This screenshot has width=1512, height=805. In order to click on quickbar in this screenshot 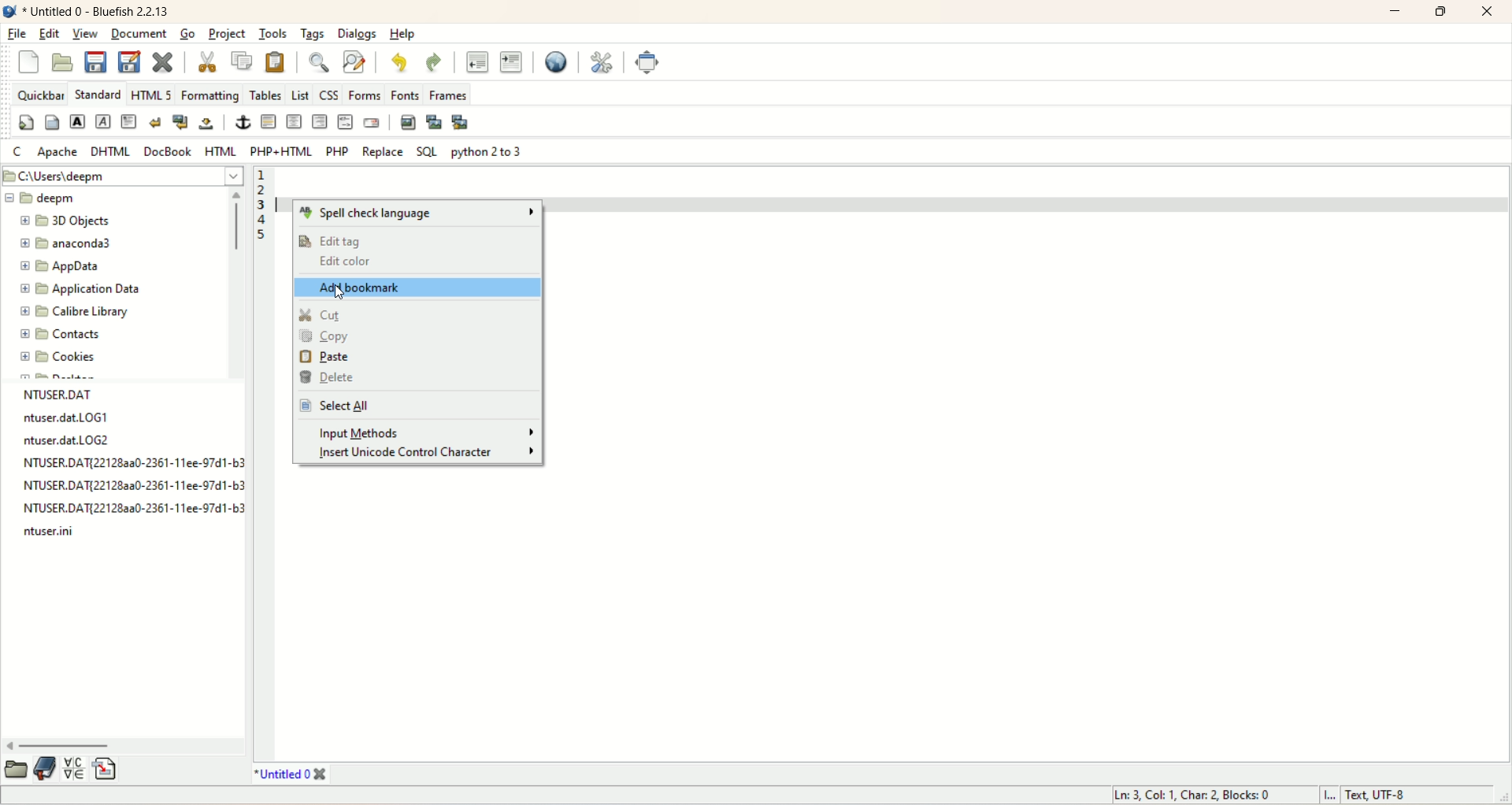, I will do `click(39, 96)`.